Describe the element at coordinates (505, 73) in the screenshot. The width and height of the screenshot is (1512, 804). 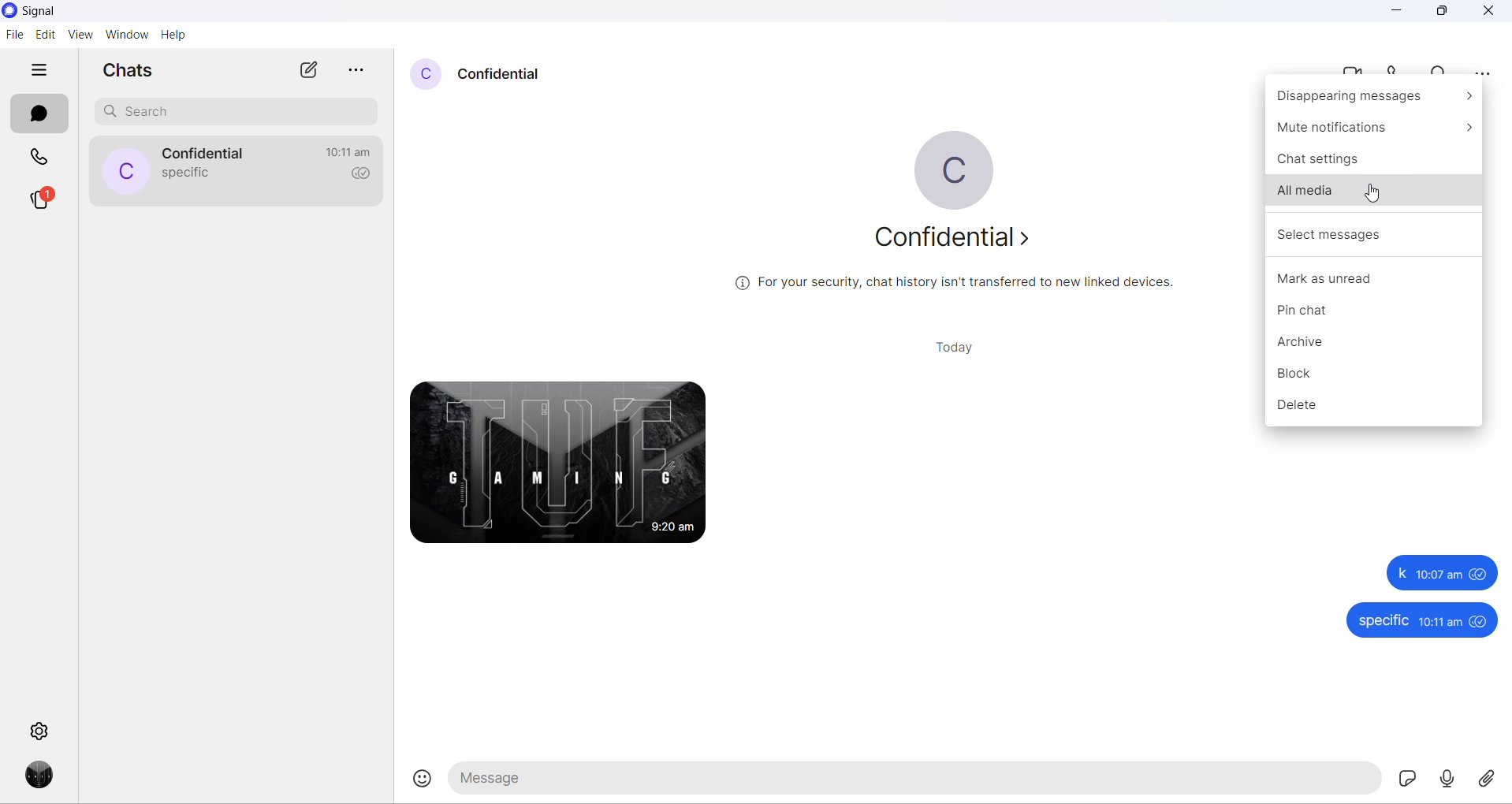
I see `contact name` at that location.